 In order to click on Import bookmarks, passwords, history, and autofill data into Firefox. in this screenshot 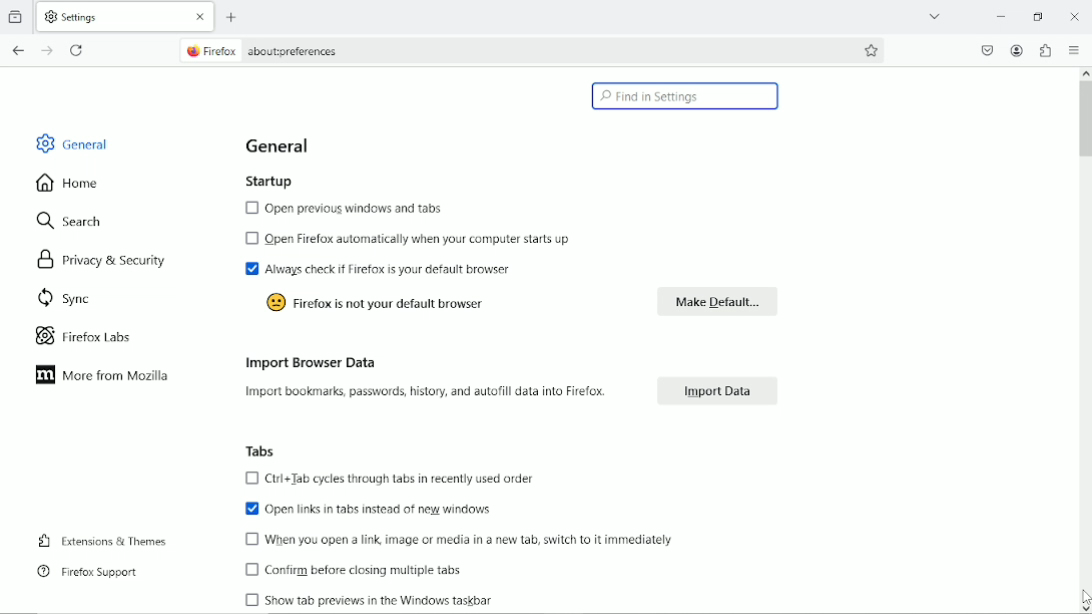, I will do `click(426, 393)`.